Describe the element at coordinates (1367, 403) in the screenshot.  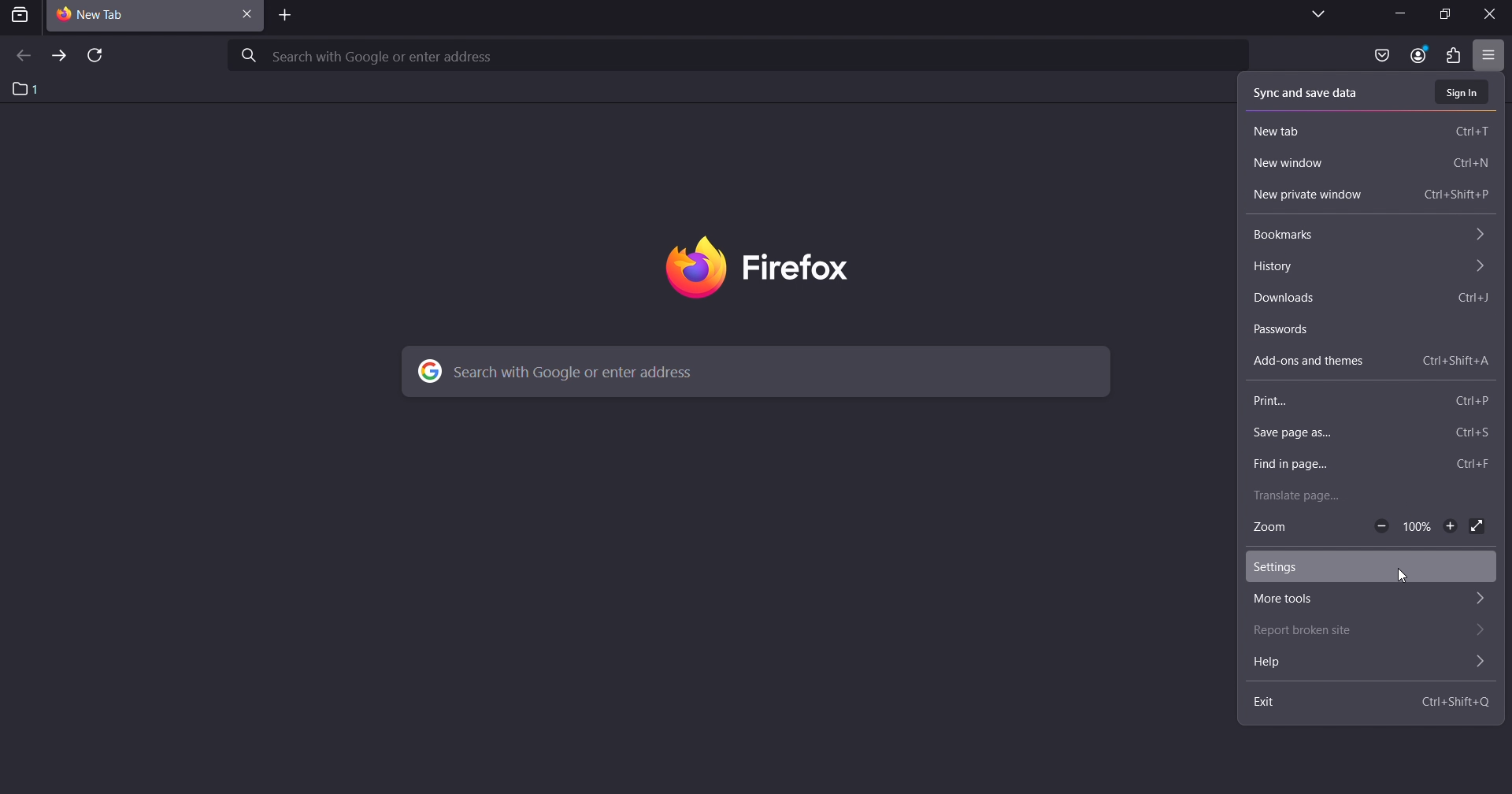
I see `print` at that location.